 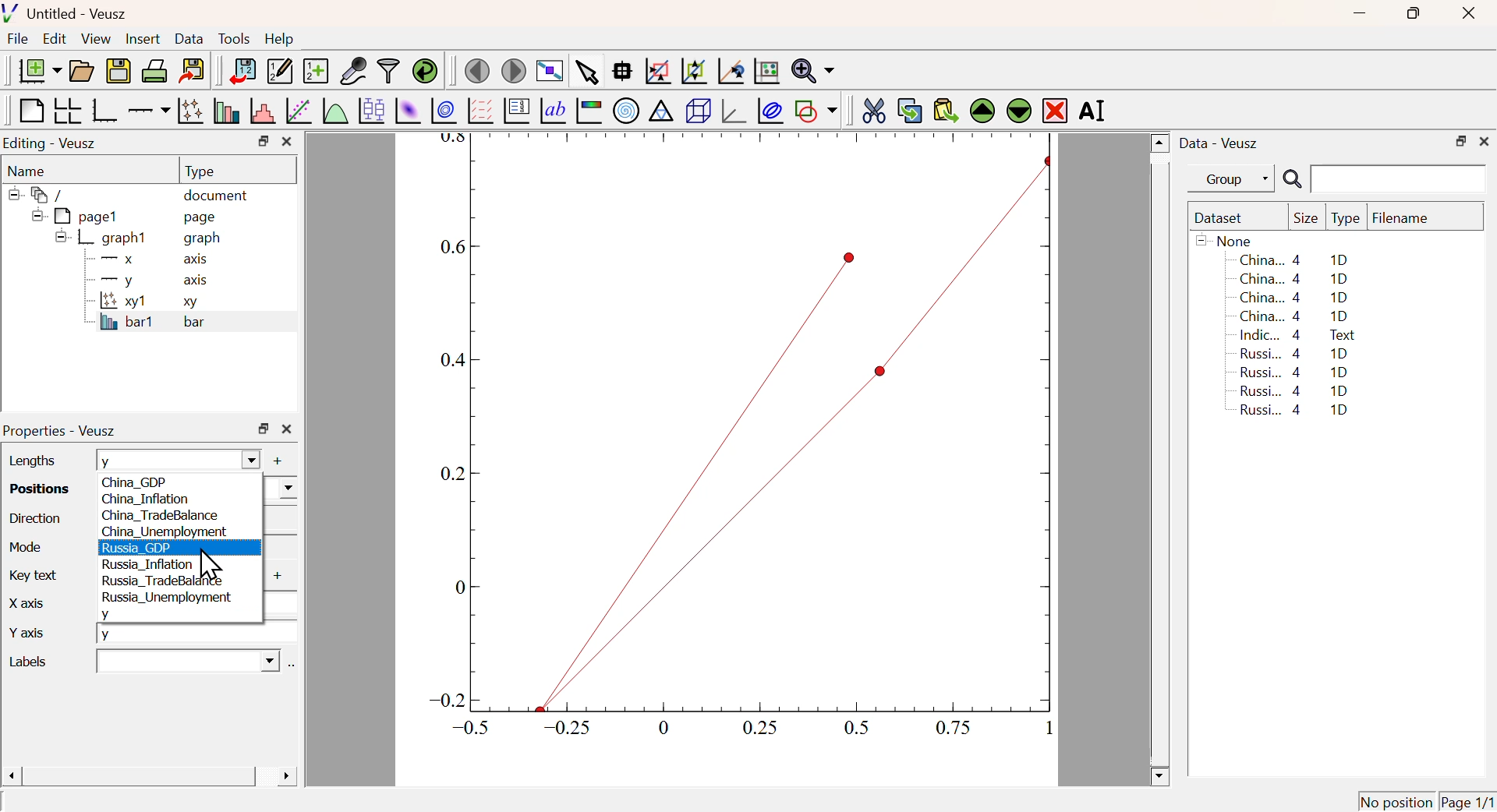 I want to click on China... 4 1D, so click(x=1294, y=259).